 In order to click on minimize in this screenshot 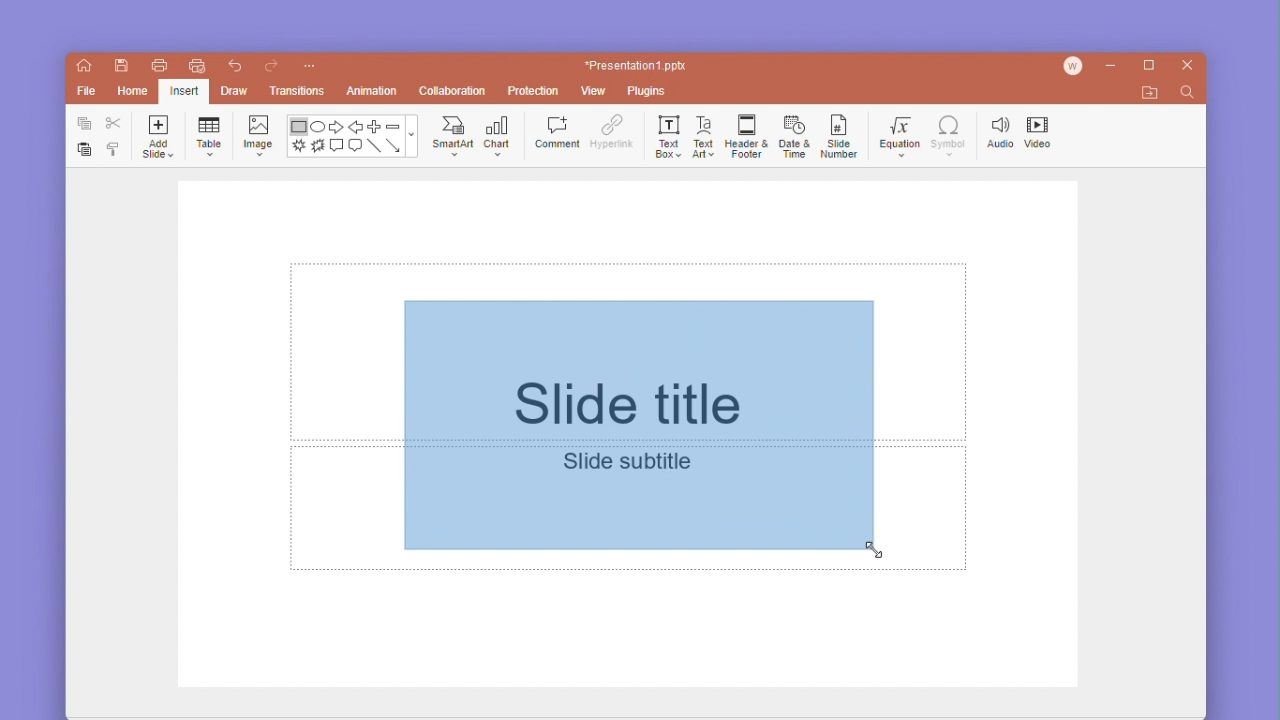, I will do `click(1113, 67)`.